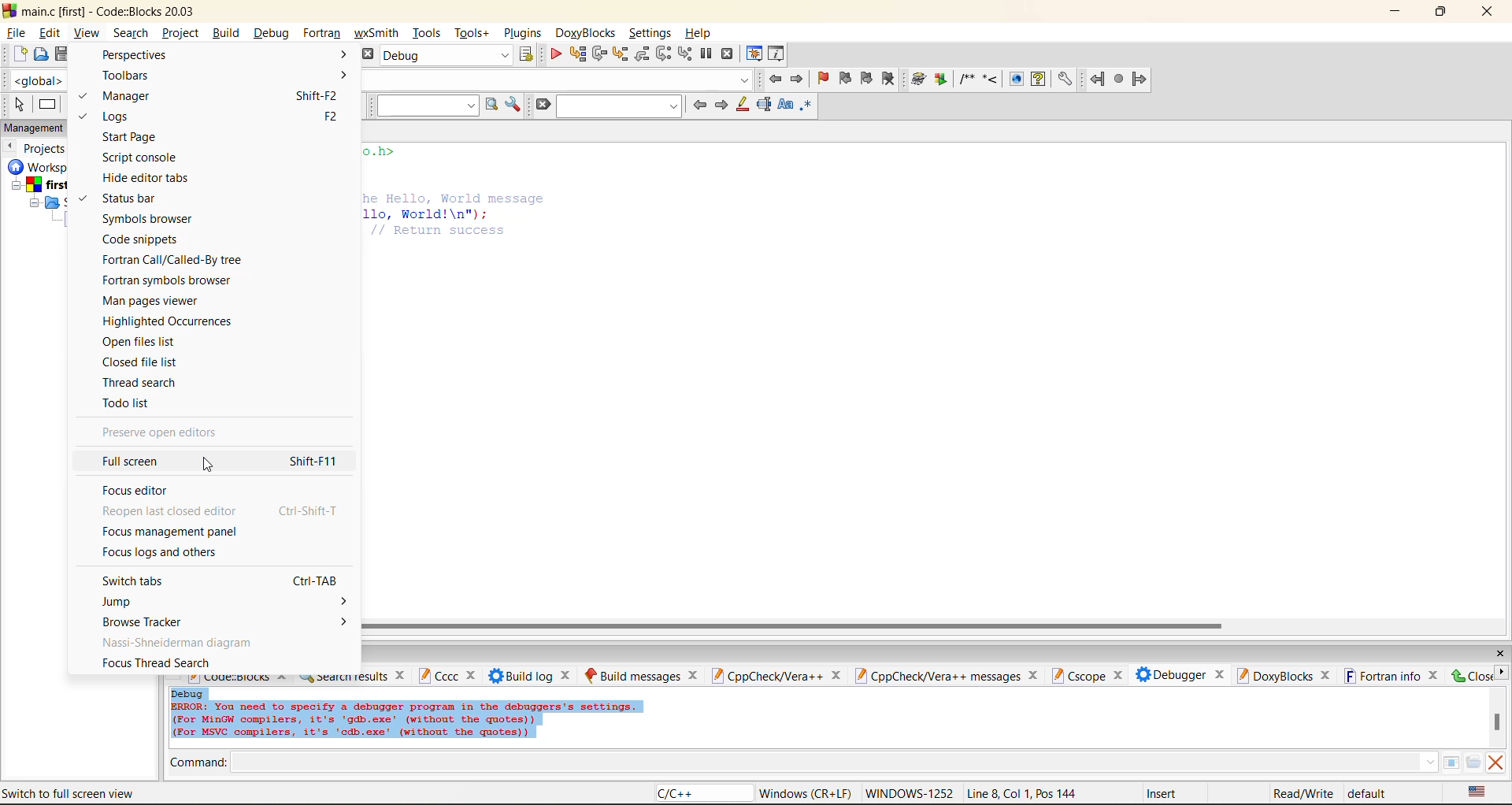  I want to click on Debug

ERROR: You need to specify a debugger program in the debuggers's settings.
(For MinGW compilers, it's 'gdb.exe' (without the quotes))

(For MSVC compilers, it's 'cdb.exe' (without the quotes)), so click(407, 715).